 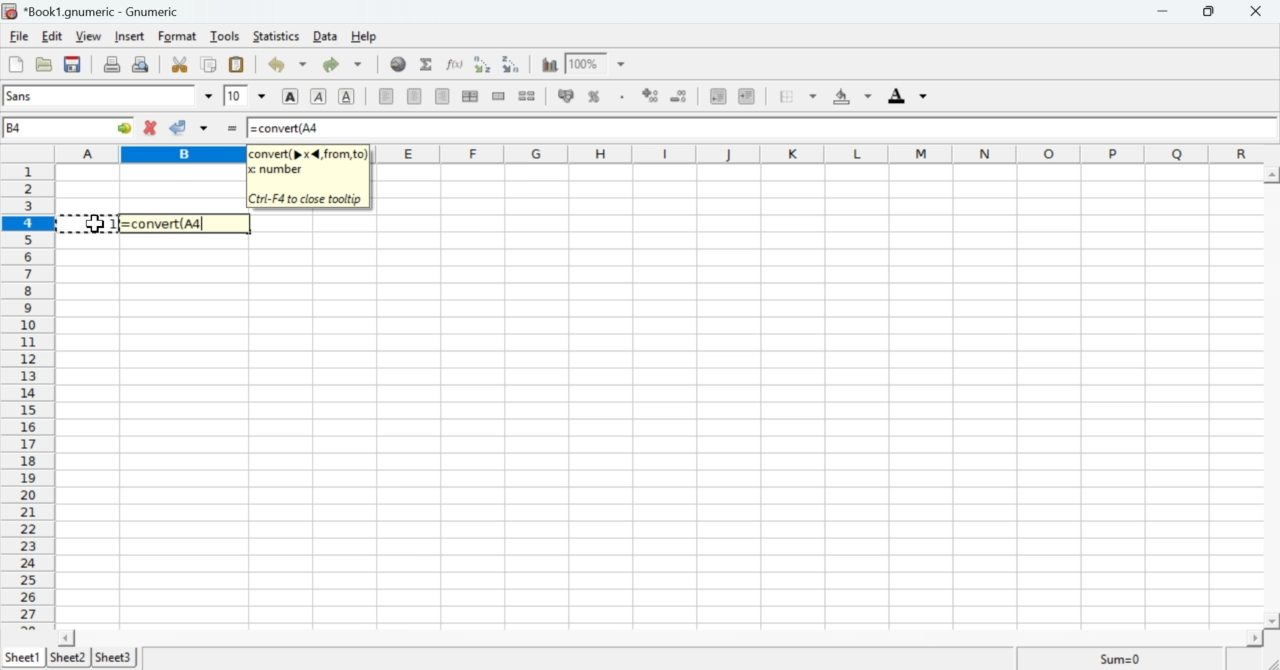 I want to click on Insert Hyperlink, so click(x=398, y=64).